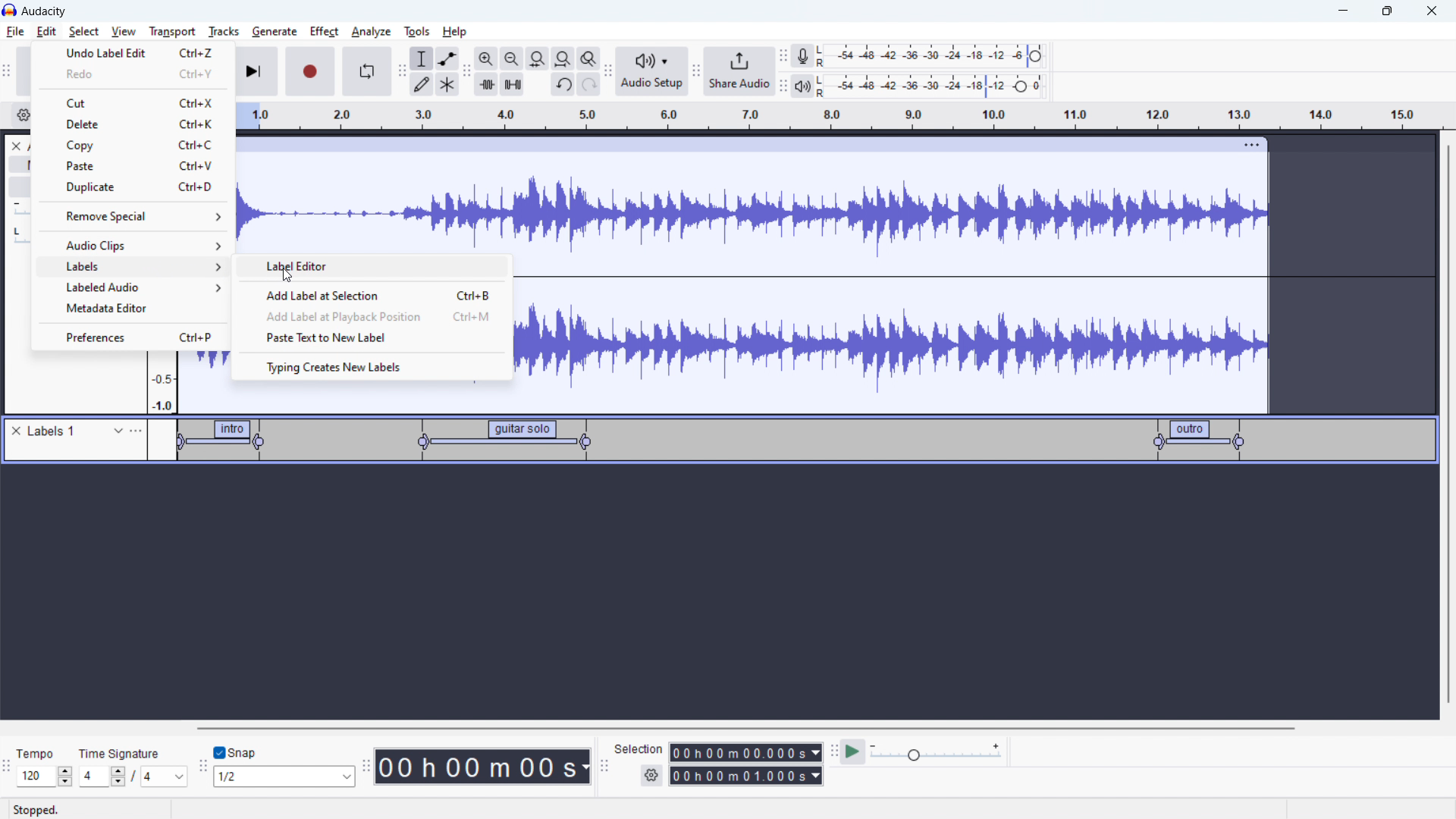 The width and height of the screenshot is (1456, 819). Describe the element at coordinates (137, 76) in the screenshot. I see `Redo Ctrl+Y` at that location.